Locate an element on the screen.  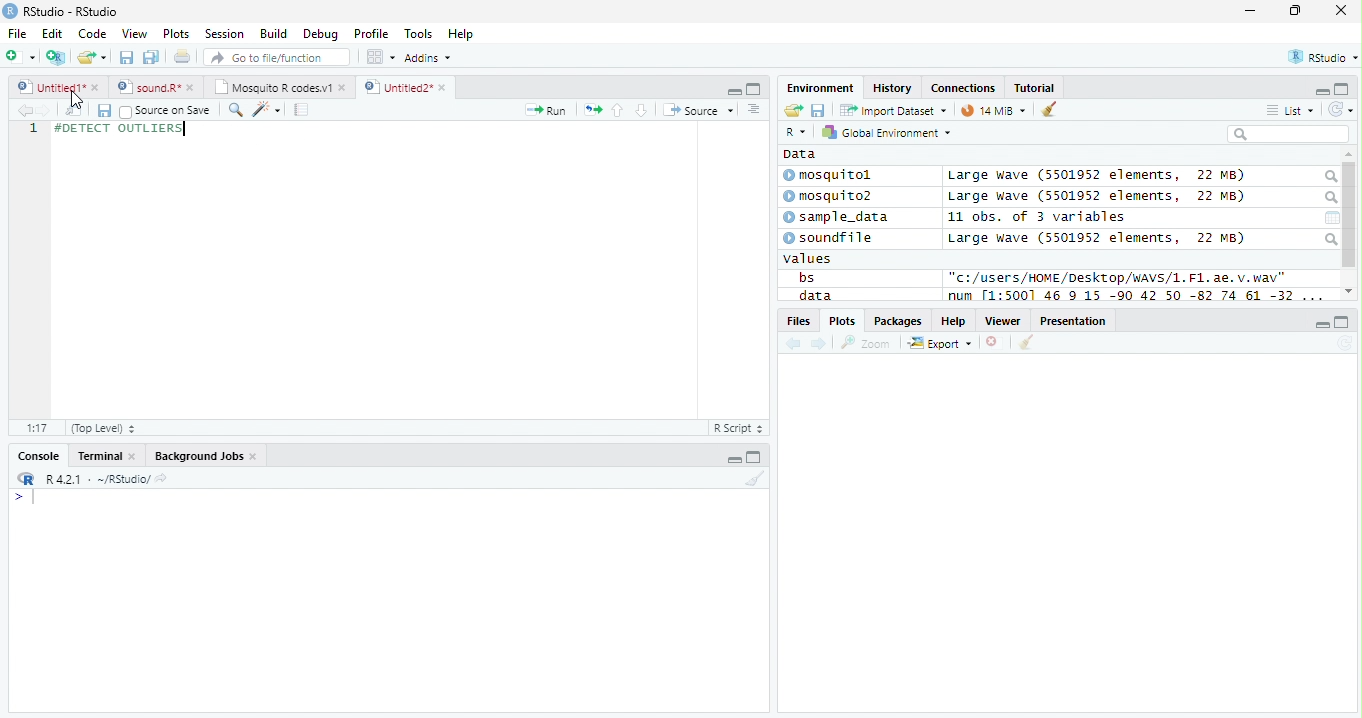
Connections is located at coordinates (964, 87).